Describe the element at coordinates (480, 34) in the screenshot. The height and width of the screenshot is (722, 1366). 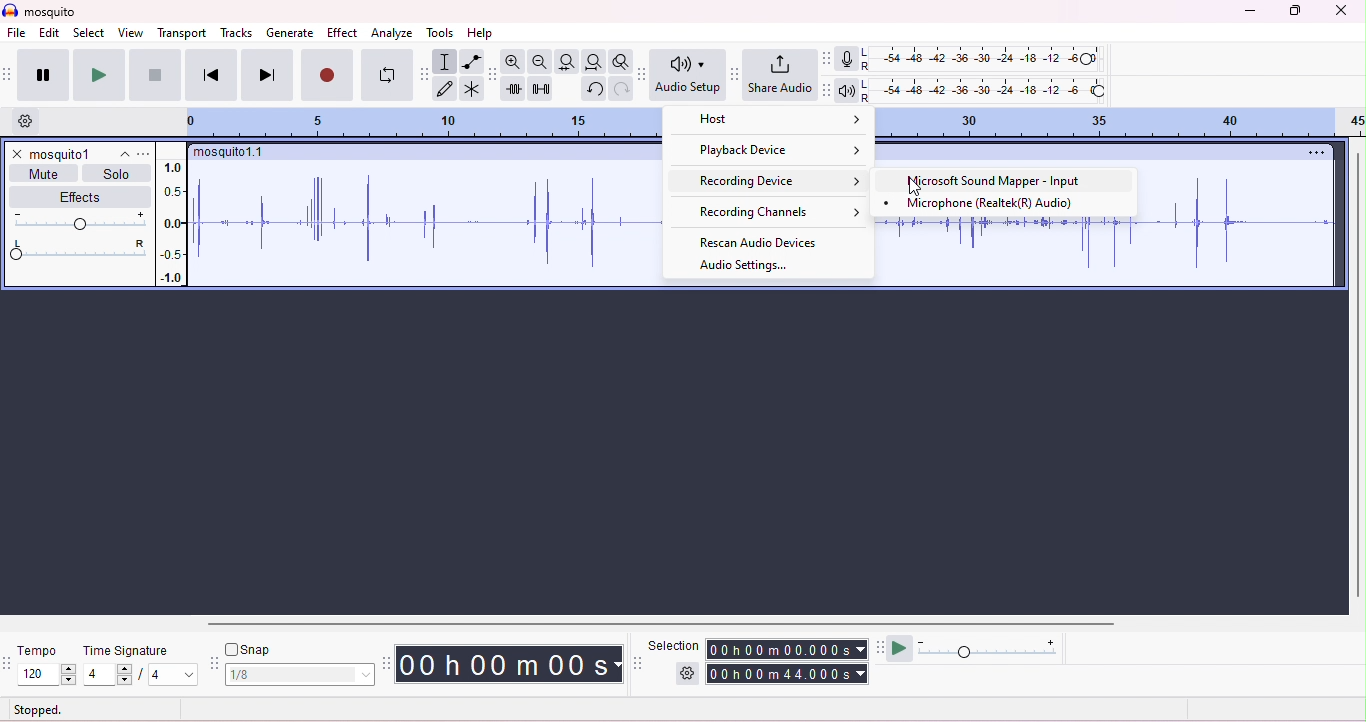
I see `help` at that location.